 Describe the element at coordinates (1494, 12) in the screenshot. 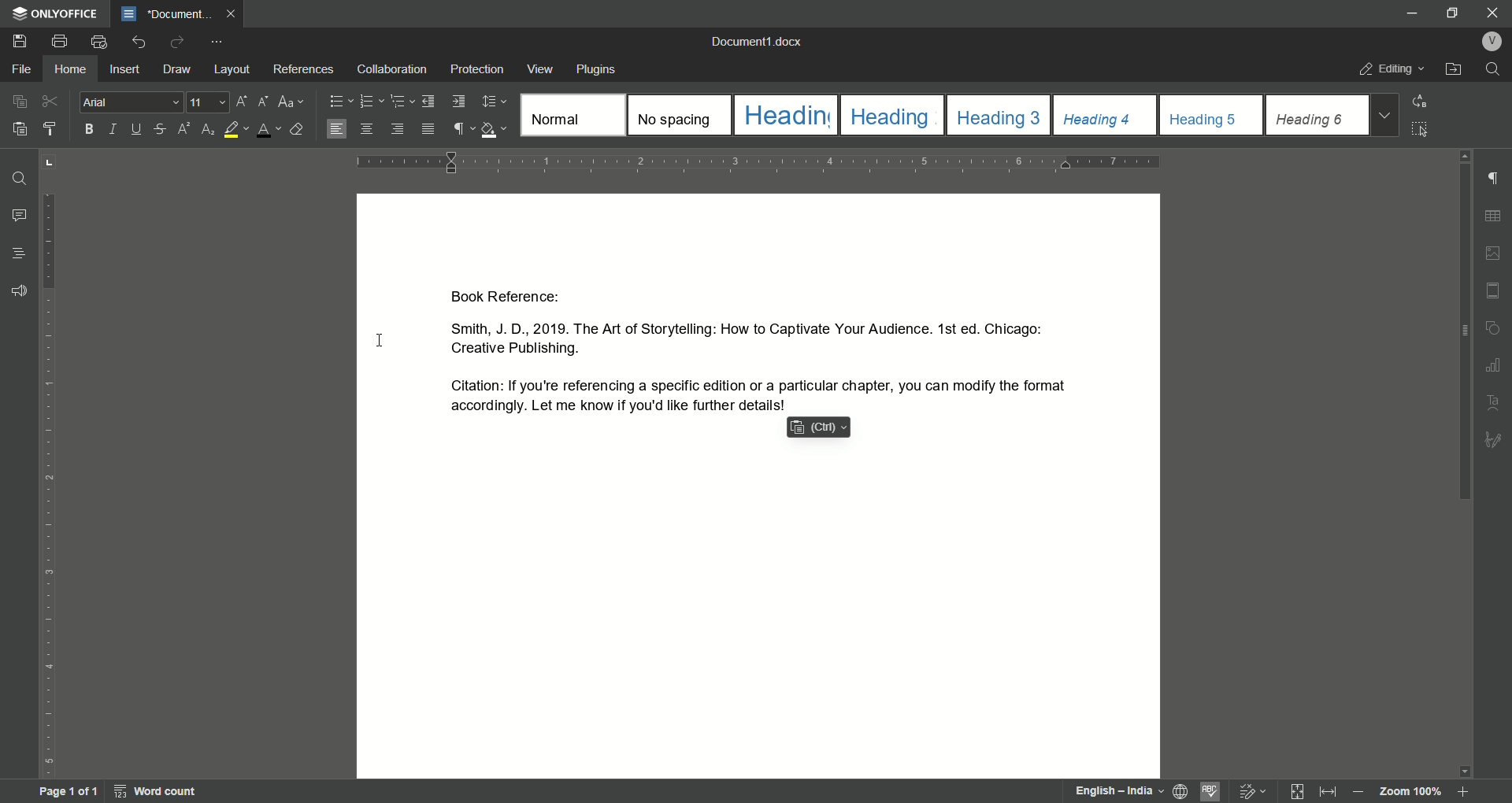

I see `close` at that location.